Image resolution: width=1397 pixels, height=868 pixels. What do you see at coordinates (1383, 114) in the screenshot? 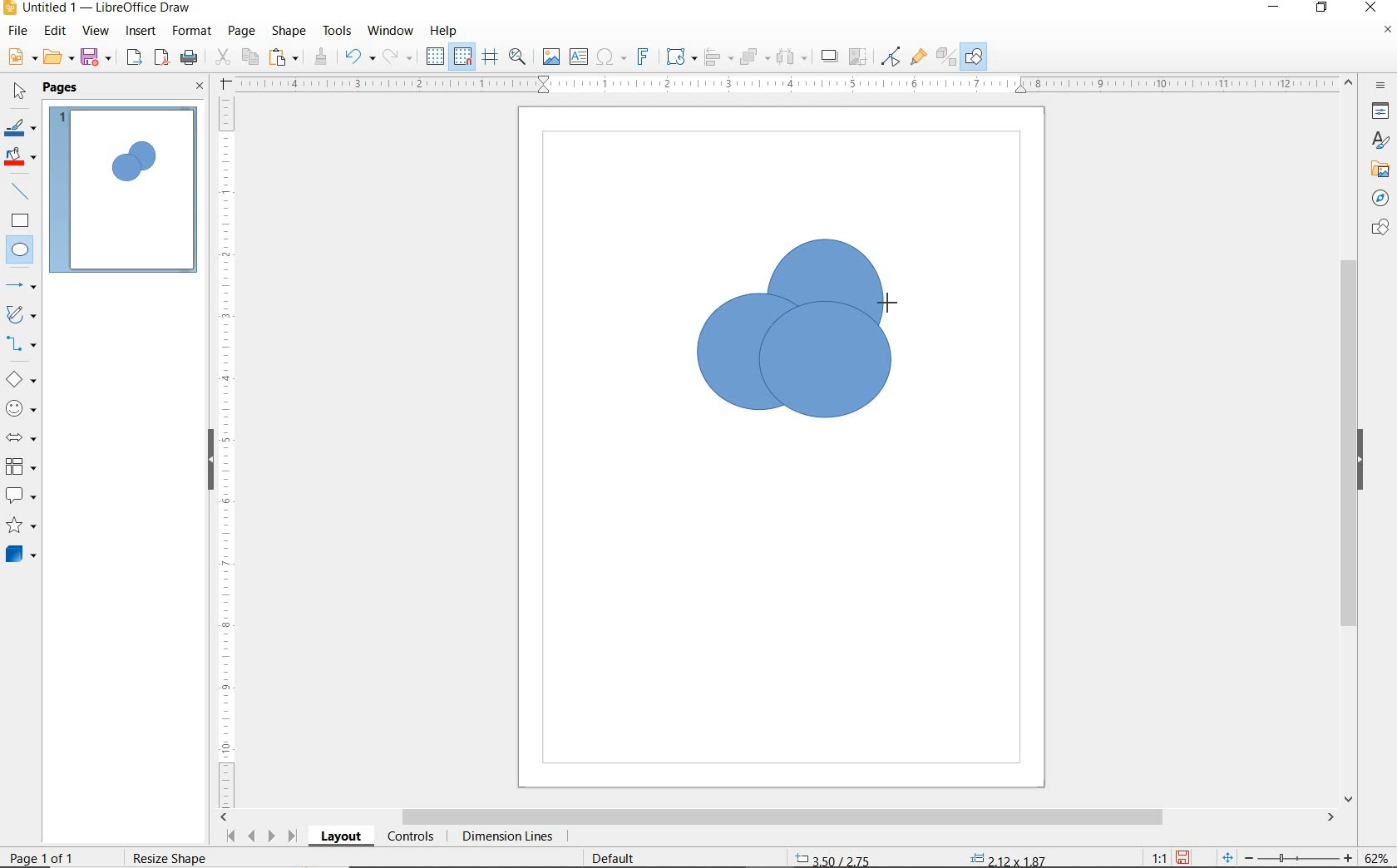
I see `PROPERTIES` at bounding box center [1383, 114].